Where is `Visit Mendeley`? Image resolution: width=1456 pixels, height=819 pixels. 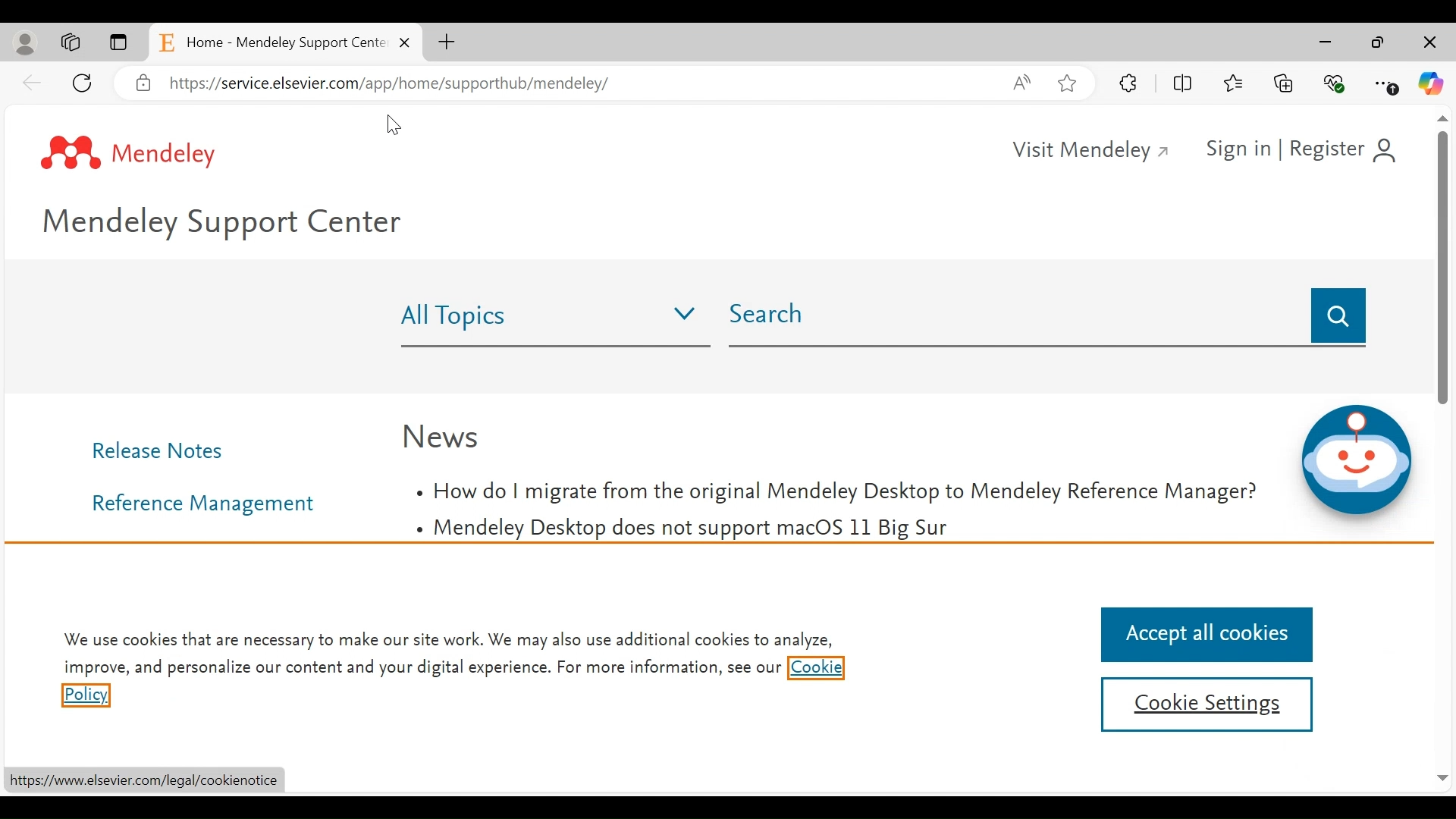
Visit Mendeley is located at coordinates (1093, 152).